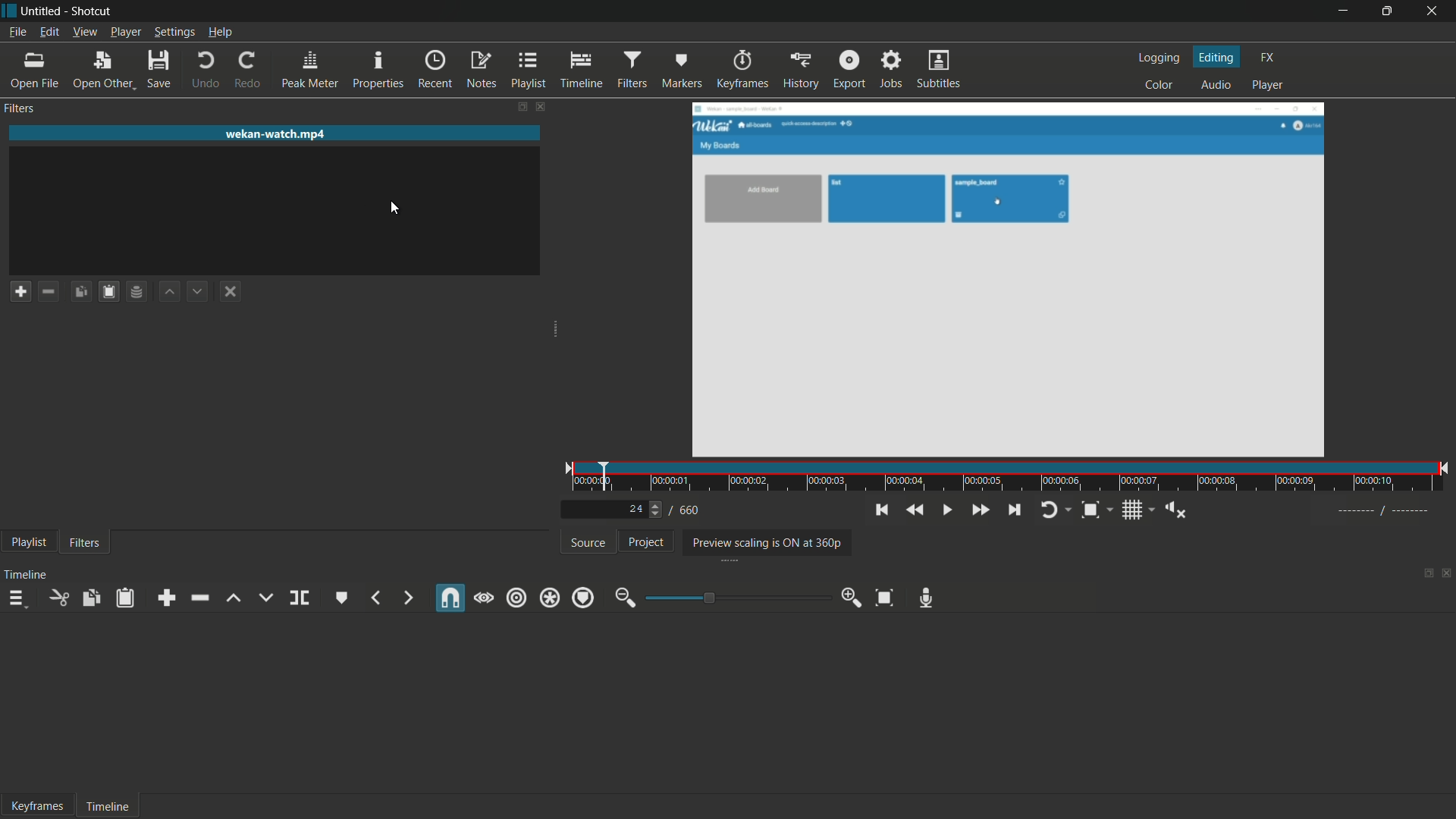 The width and height of the screenshot is (1456, 819). What do you see at coordinates (16, 31) in the screenshot?
I see `file menu` at bounding box center [16, 31].